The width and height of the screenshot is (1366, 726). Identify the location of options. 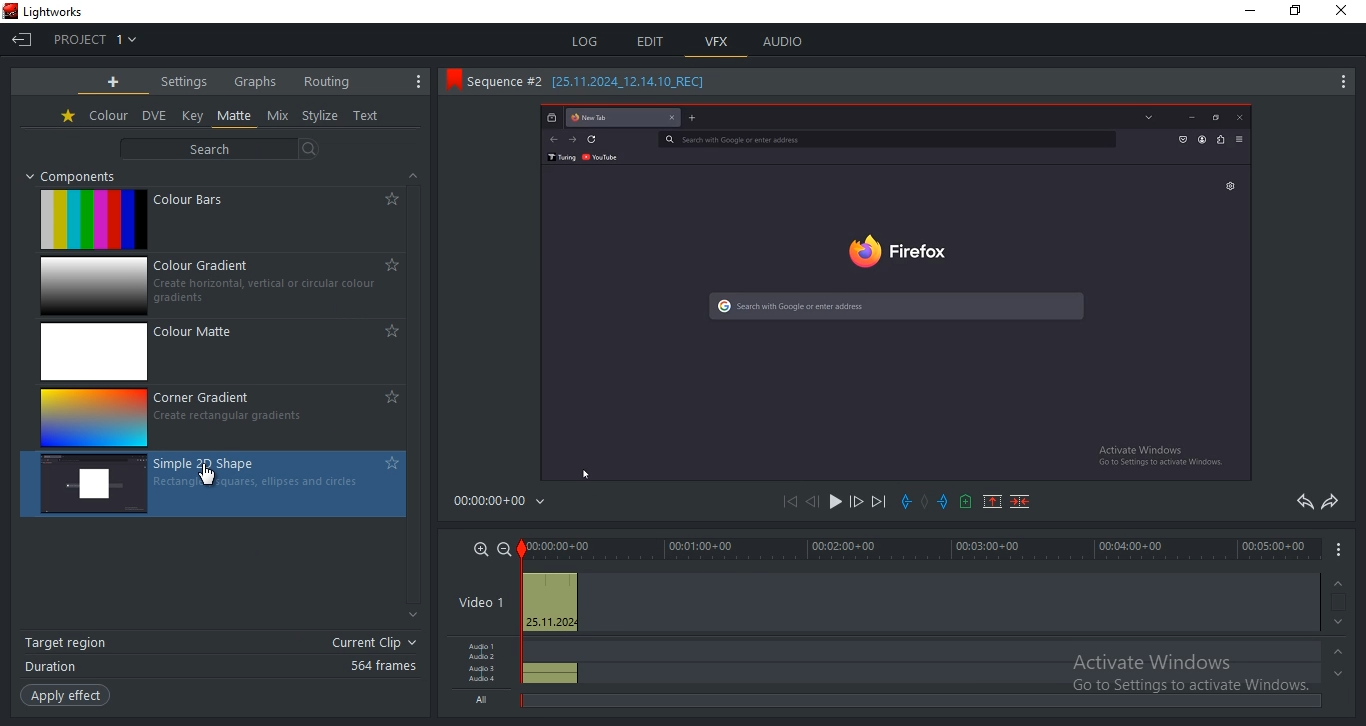
(1343, 549).